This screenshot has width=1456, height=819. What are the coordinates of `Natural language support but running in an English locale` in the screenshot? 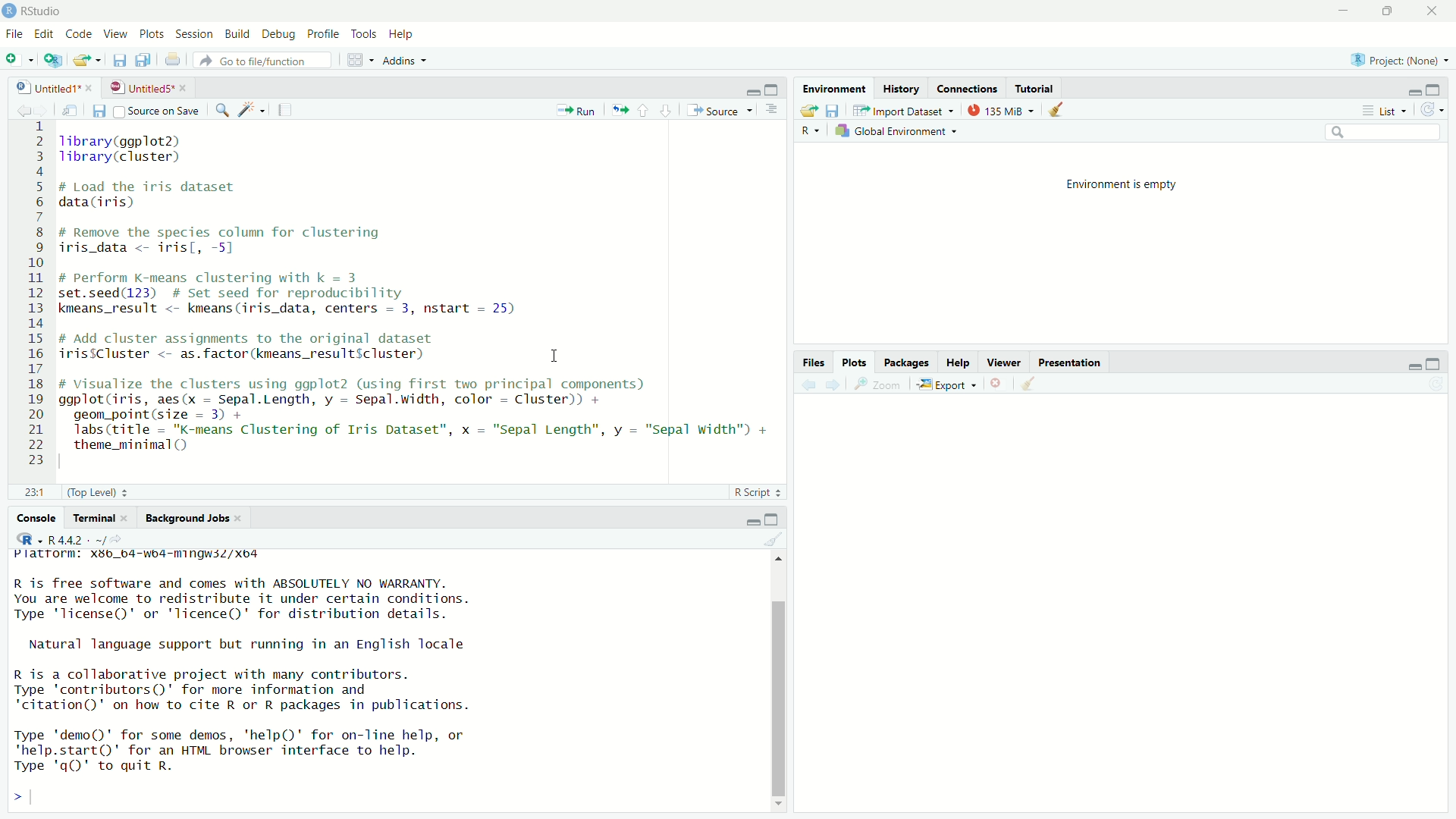 It's located at (266, 645).